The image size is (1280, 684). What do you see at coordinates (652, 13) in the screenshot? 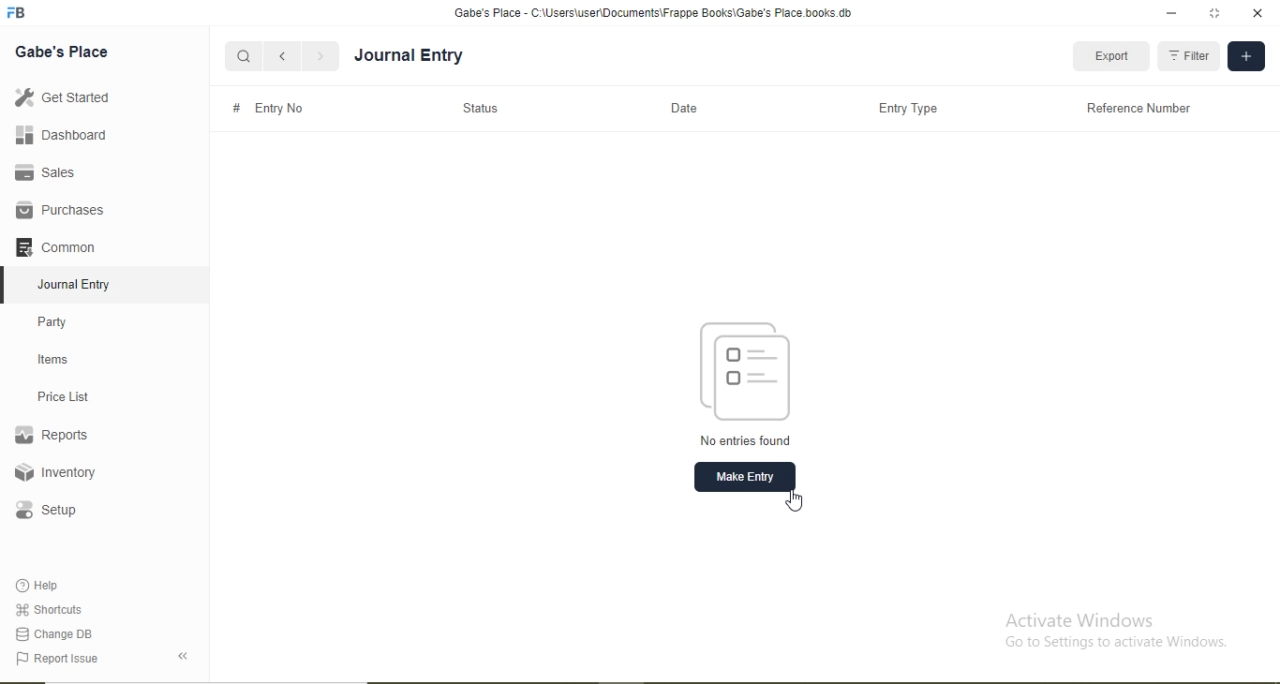
I see `‘Gabe's Place - C:\Users\useriDocuments\Frappe Books\Gabe's Place books db` at bounding box center [652, 13].